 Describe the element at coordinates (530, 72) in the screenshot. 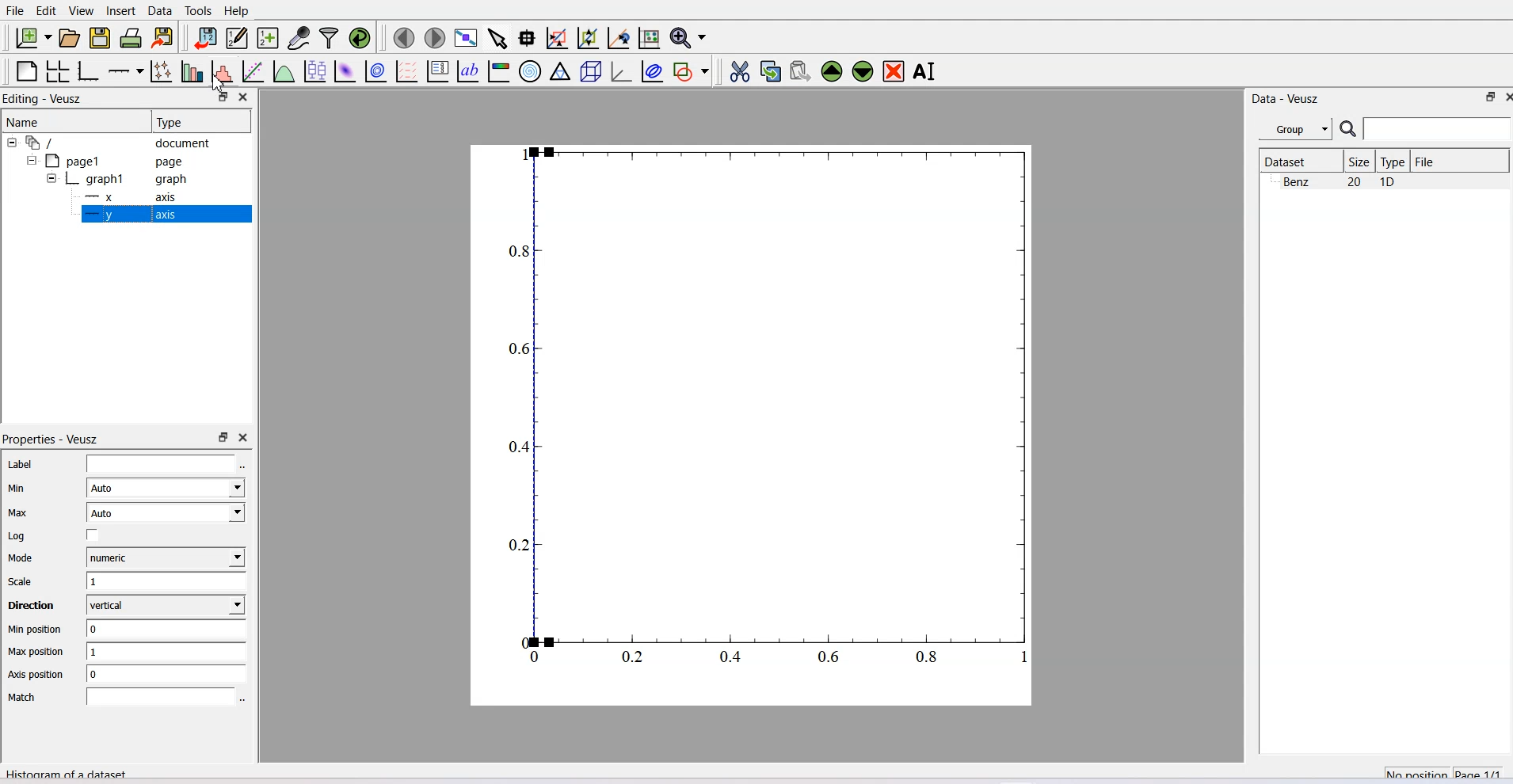

I see `Polar Graph` at that location.